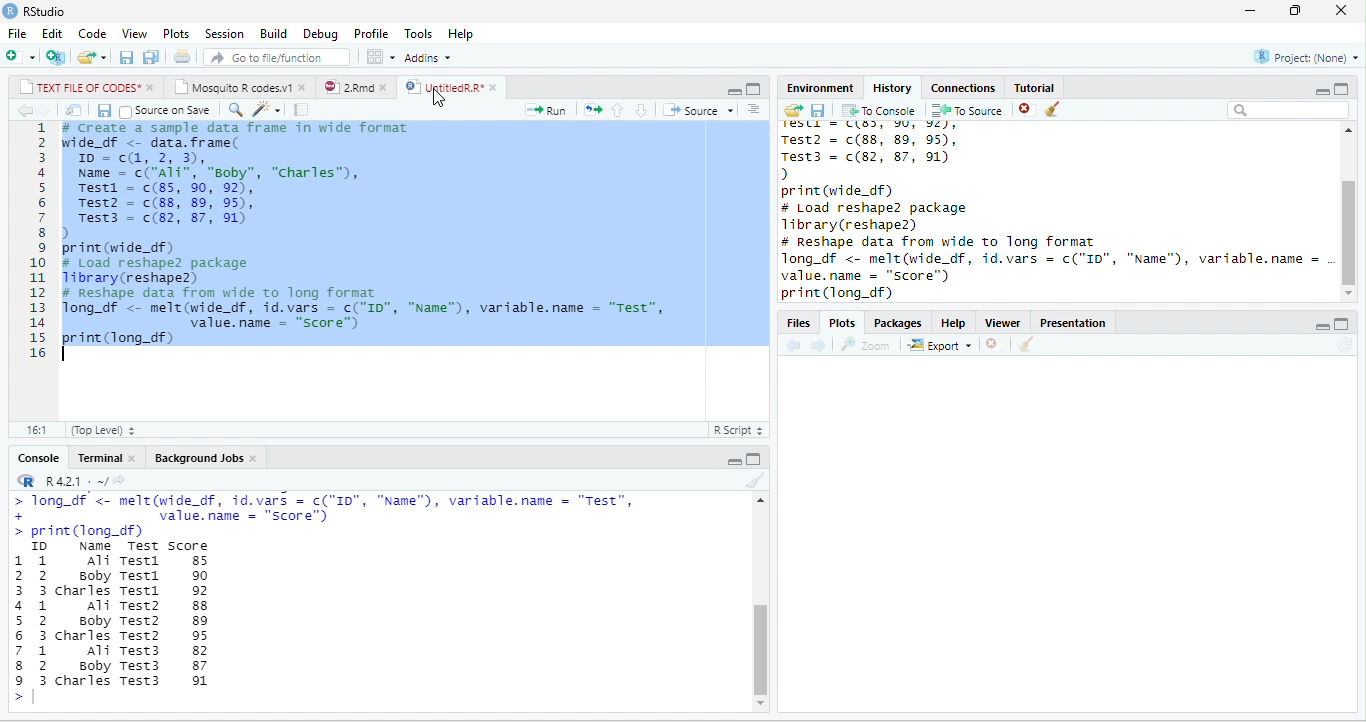  Describe the element at coordinates (20, 58) in the screenshot. I see `new file` at that location.